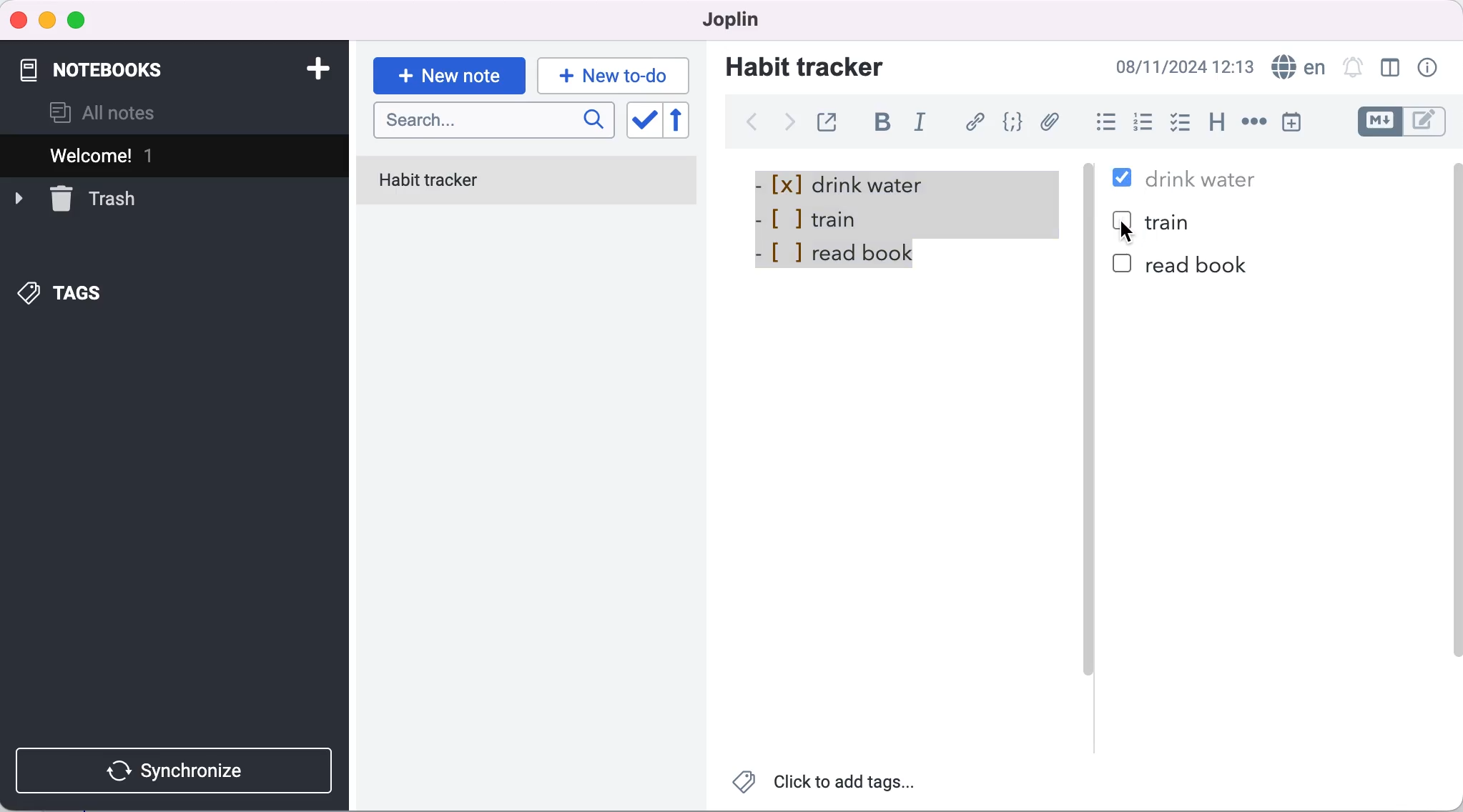  I want to click on search, so click(494, 122).